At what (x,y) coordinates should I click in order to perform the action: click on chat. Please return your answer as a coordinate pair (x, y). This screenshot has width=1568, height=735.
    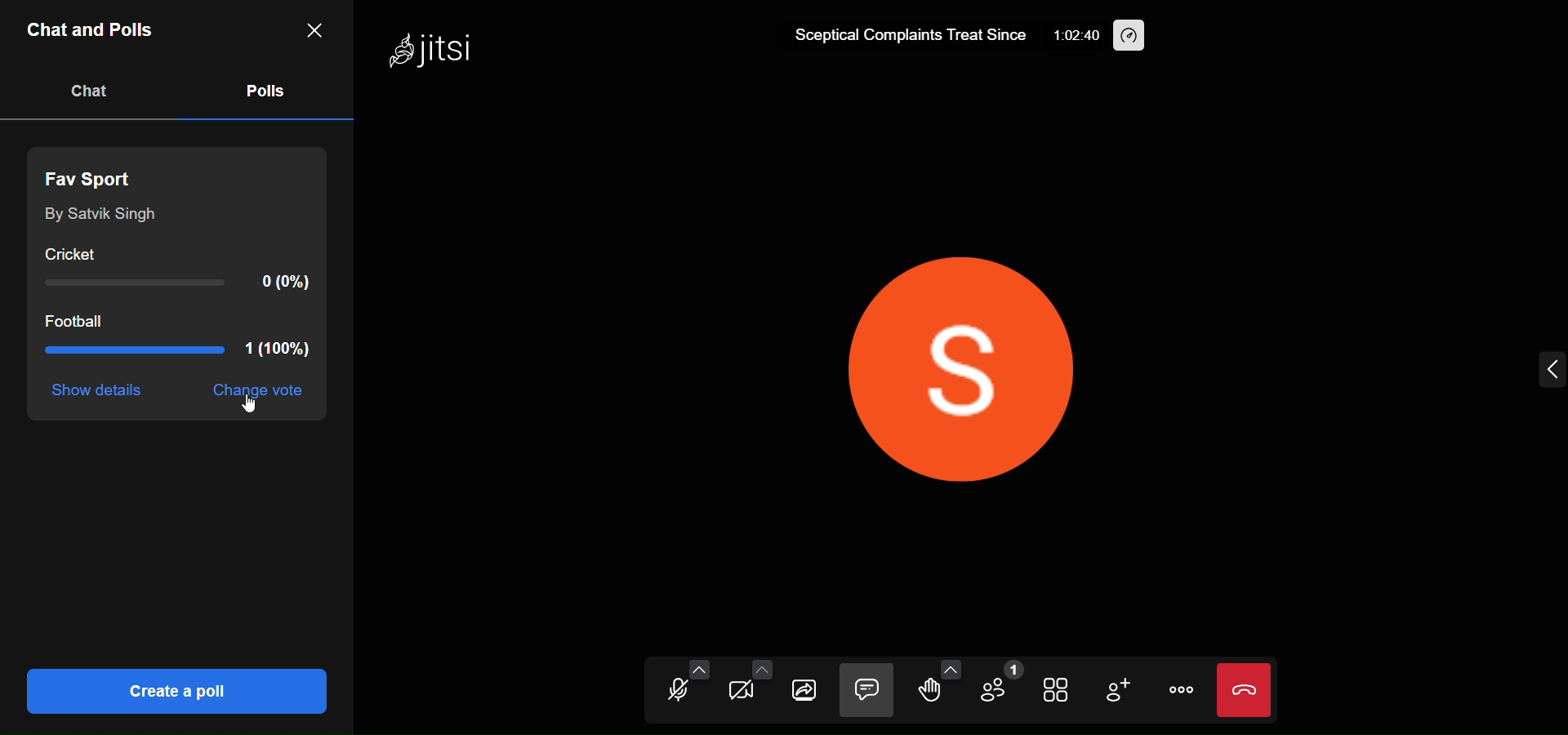
    Looking at the image, I should click on (866, 691).